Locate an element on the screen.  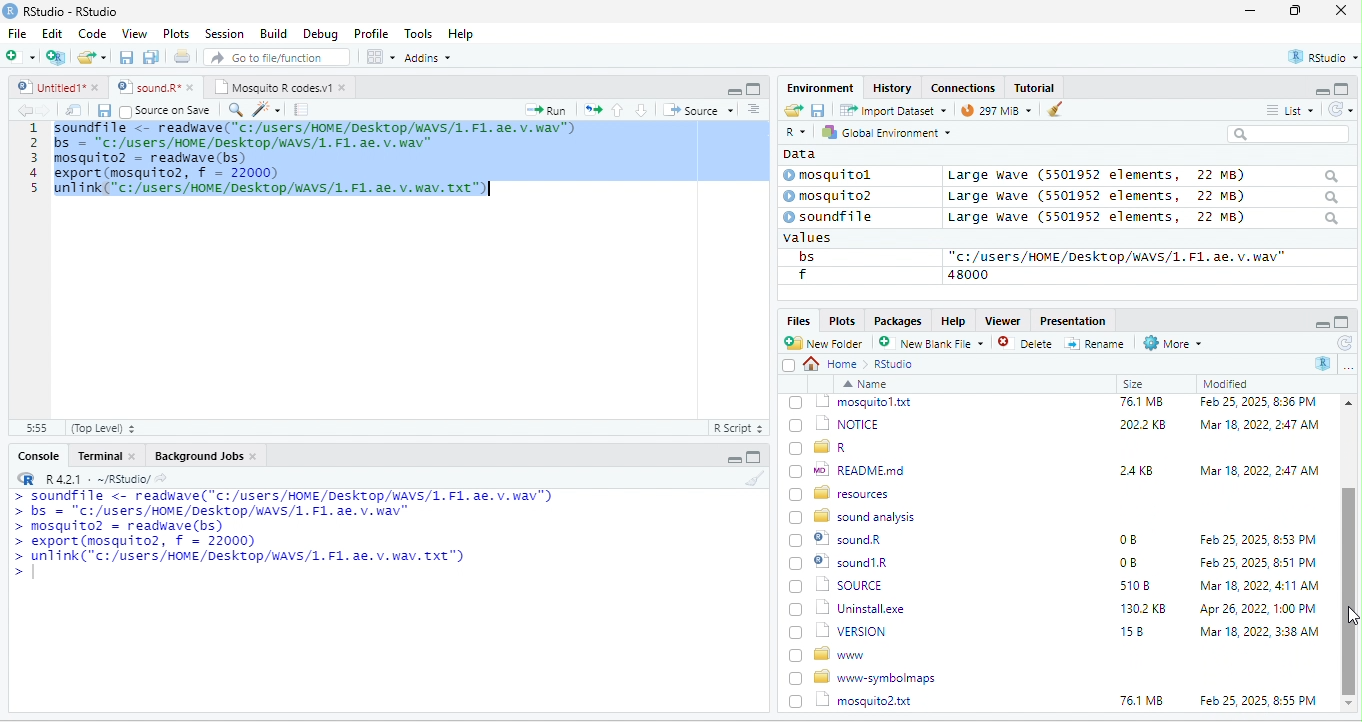
View is located at coordinates (133, 35).